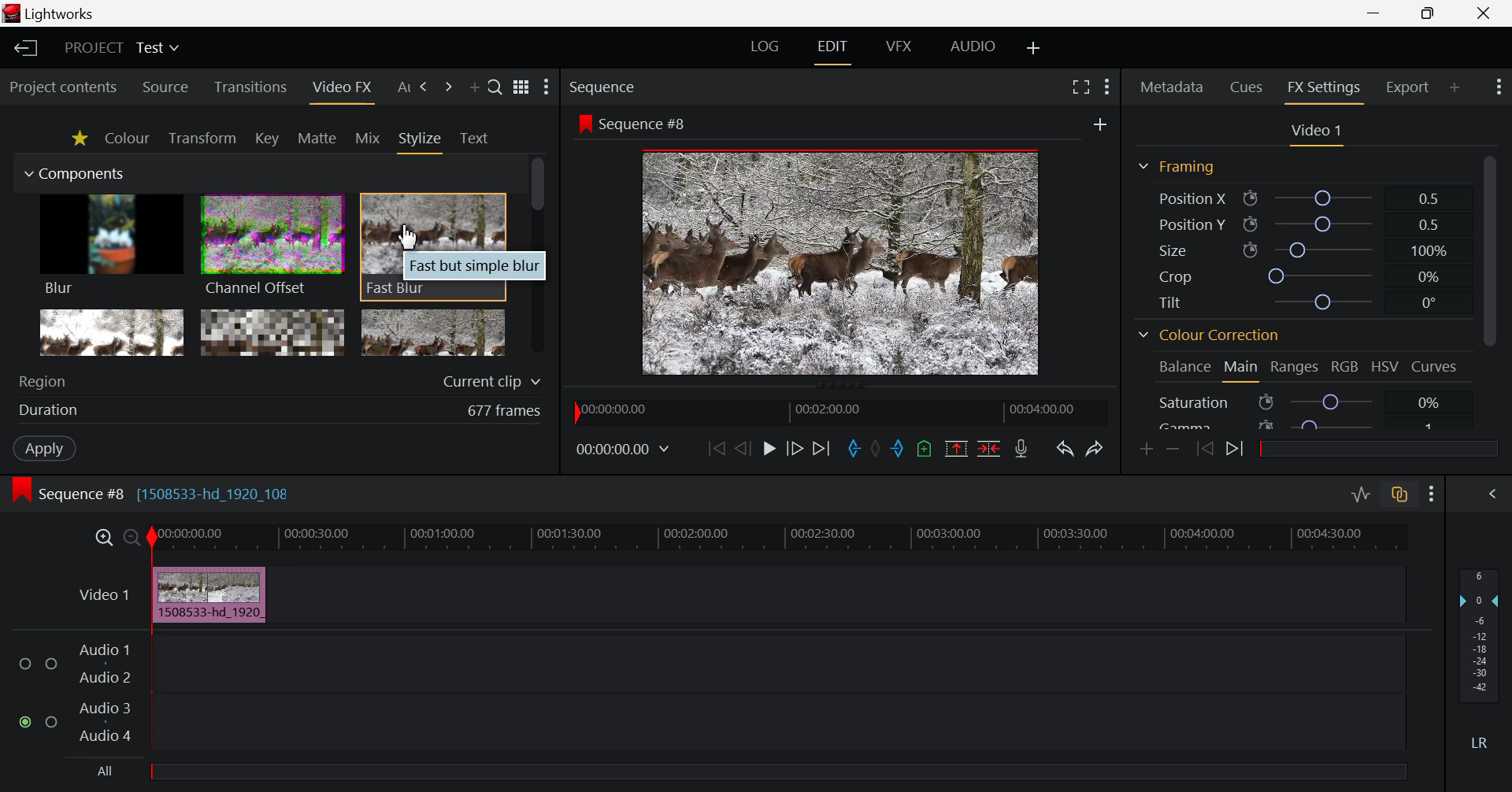 This screenshot has height=792, width=1512. I want to click on Fast but simple blur, so click(464, 266).